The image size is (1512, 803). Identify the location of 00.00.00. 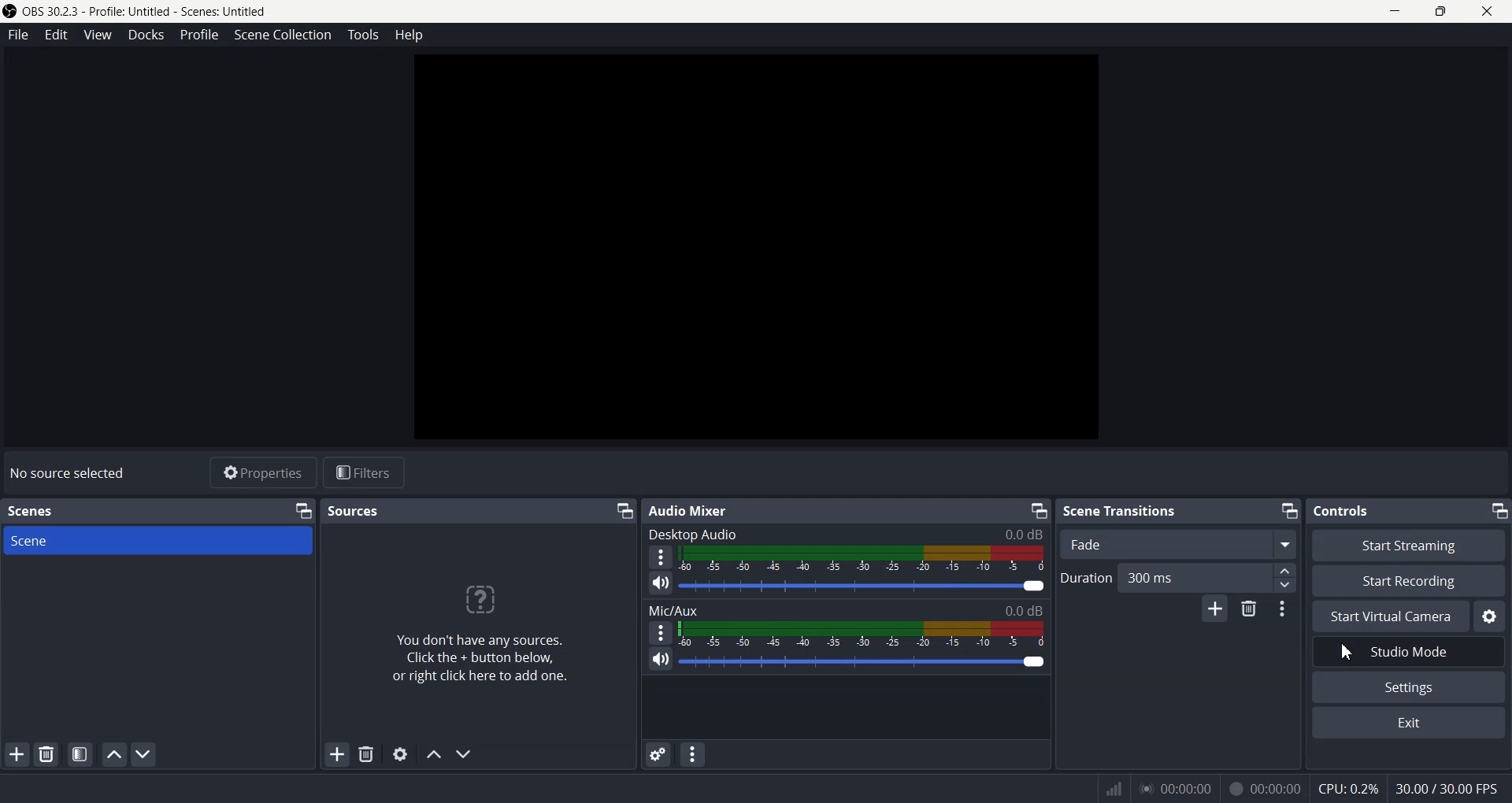
(1177, 789).